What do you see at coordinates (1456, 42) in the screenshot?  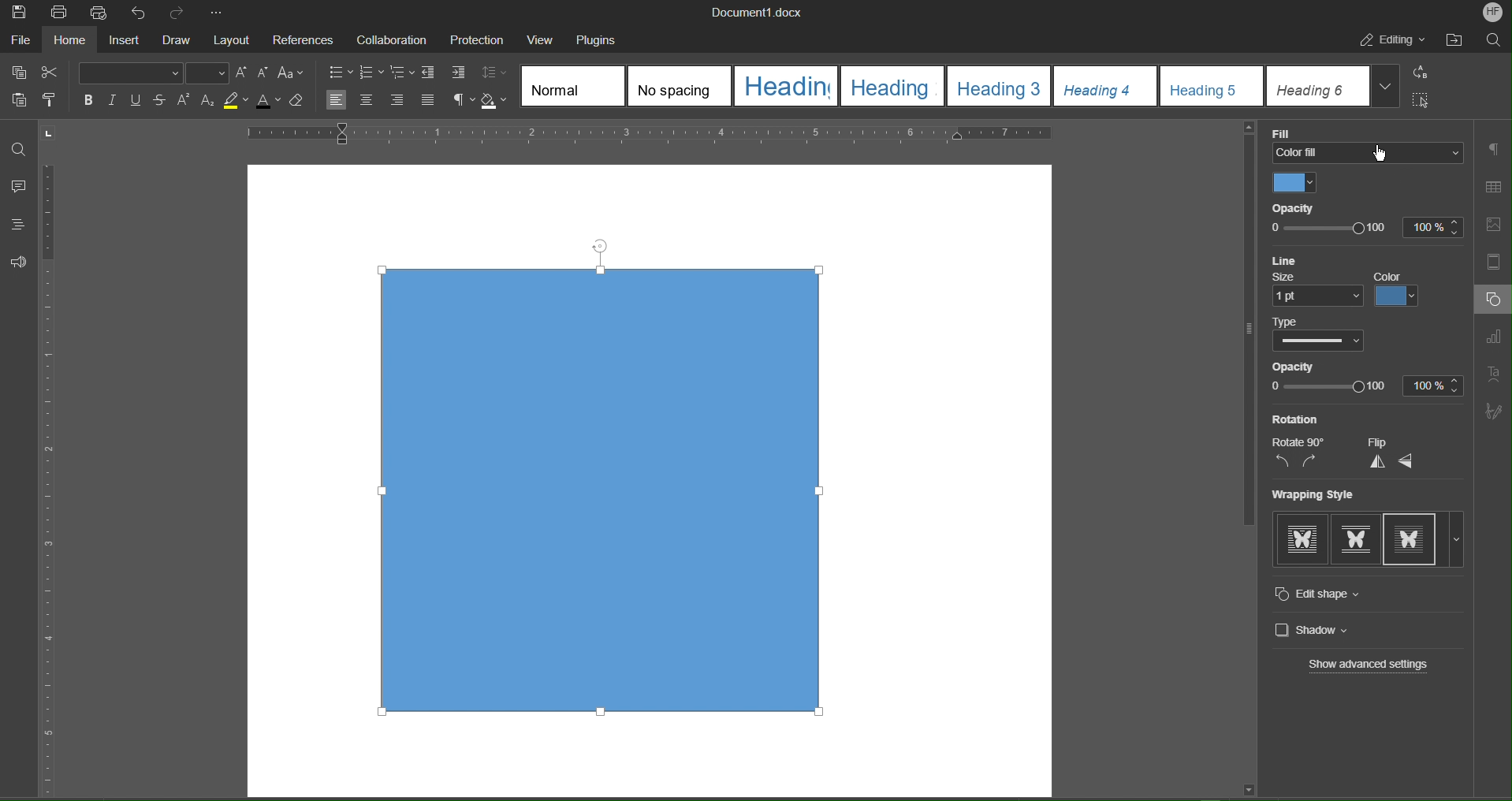 I see `Open File Location` at bounding box center [1456, 42].